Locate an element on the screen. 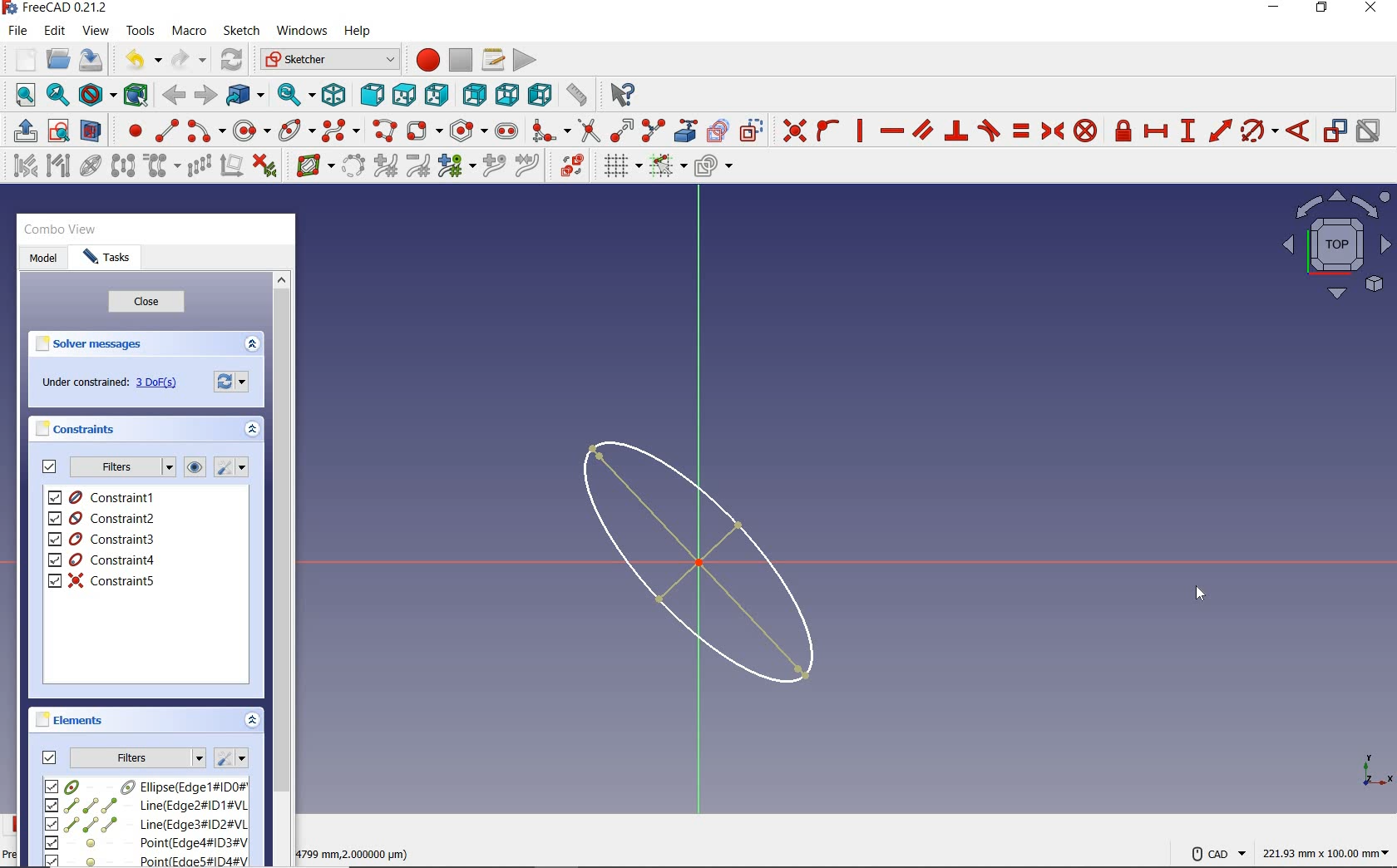 This screenshot has width=1397, height=868. toggle snap is located at coordinates (667, 165).